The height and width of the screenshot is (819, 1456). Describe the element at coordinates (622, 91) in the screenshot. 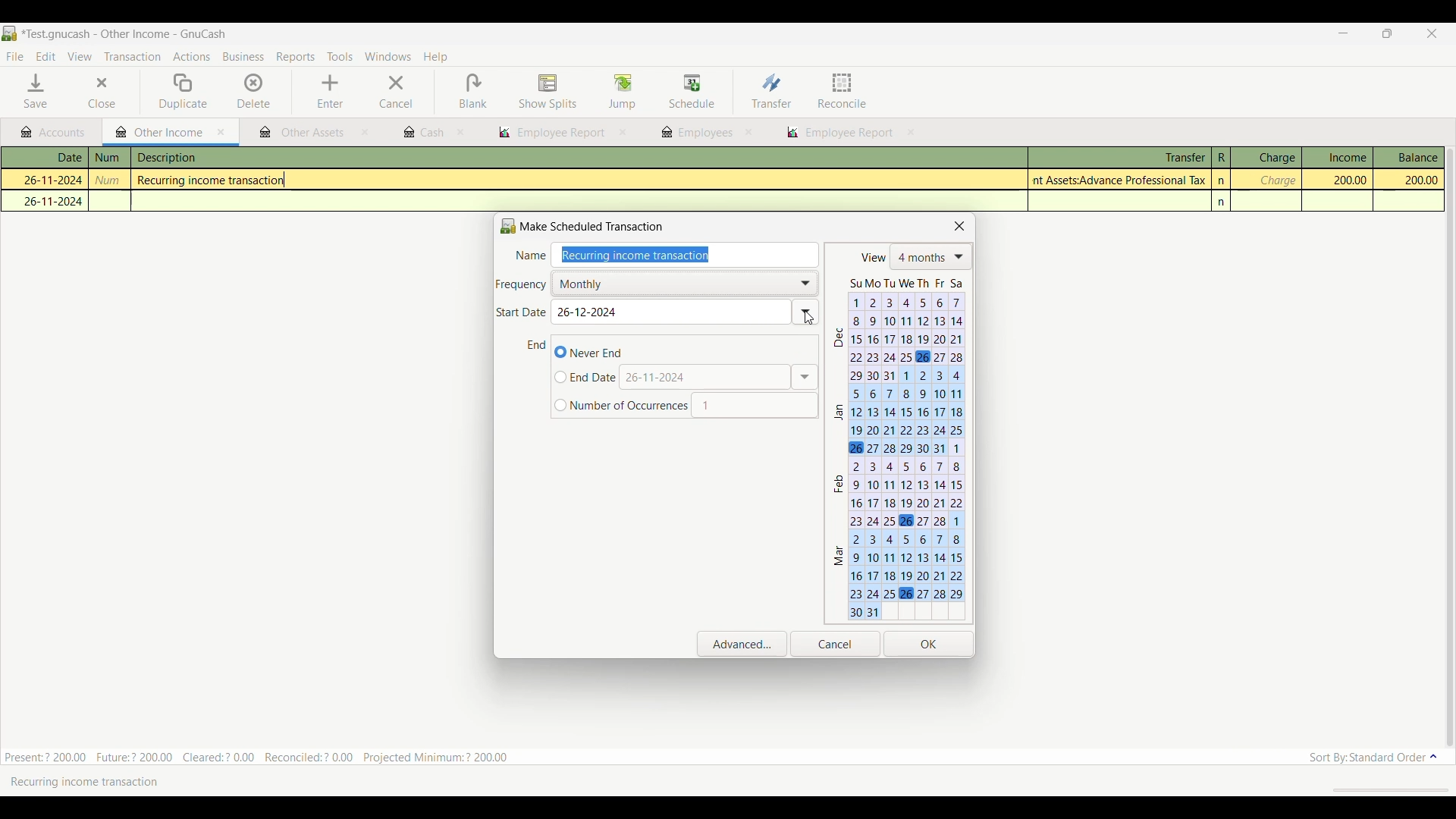

I see `Jump` at that location.